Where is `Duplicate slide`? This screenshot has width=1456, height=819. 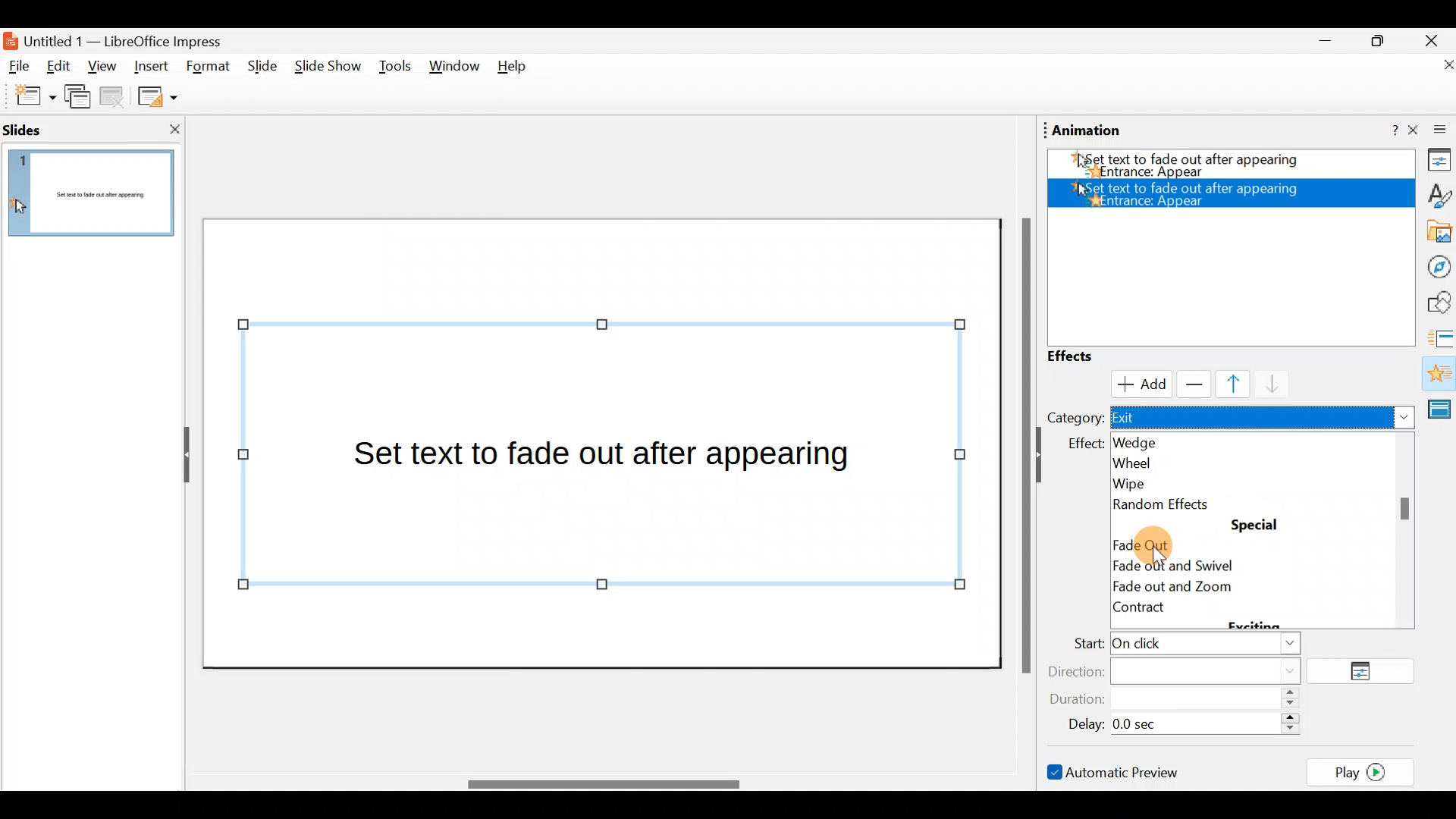
Duplicate slide is located at coordinates (80, 99).